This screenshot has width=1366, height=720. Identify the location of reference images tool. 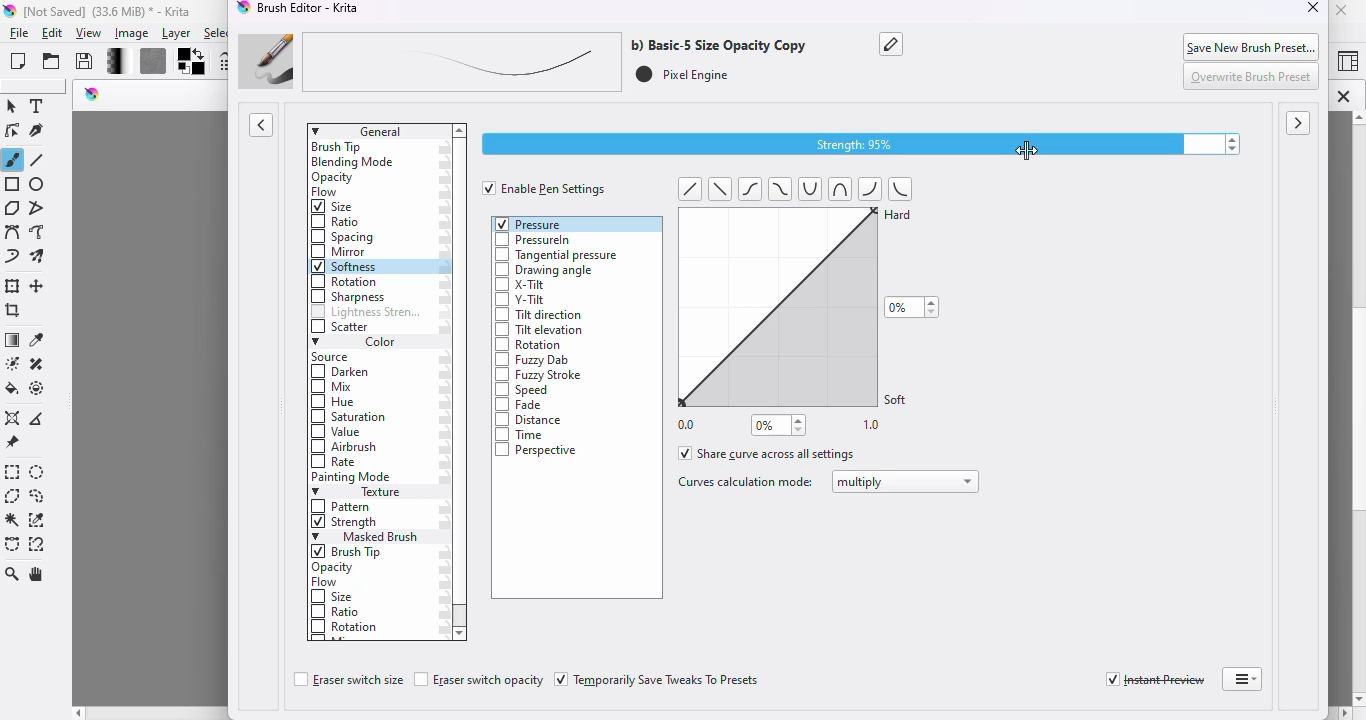
(12, 443).